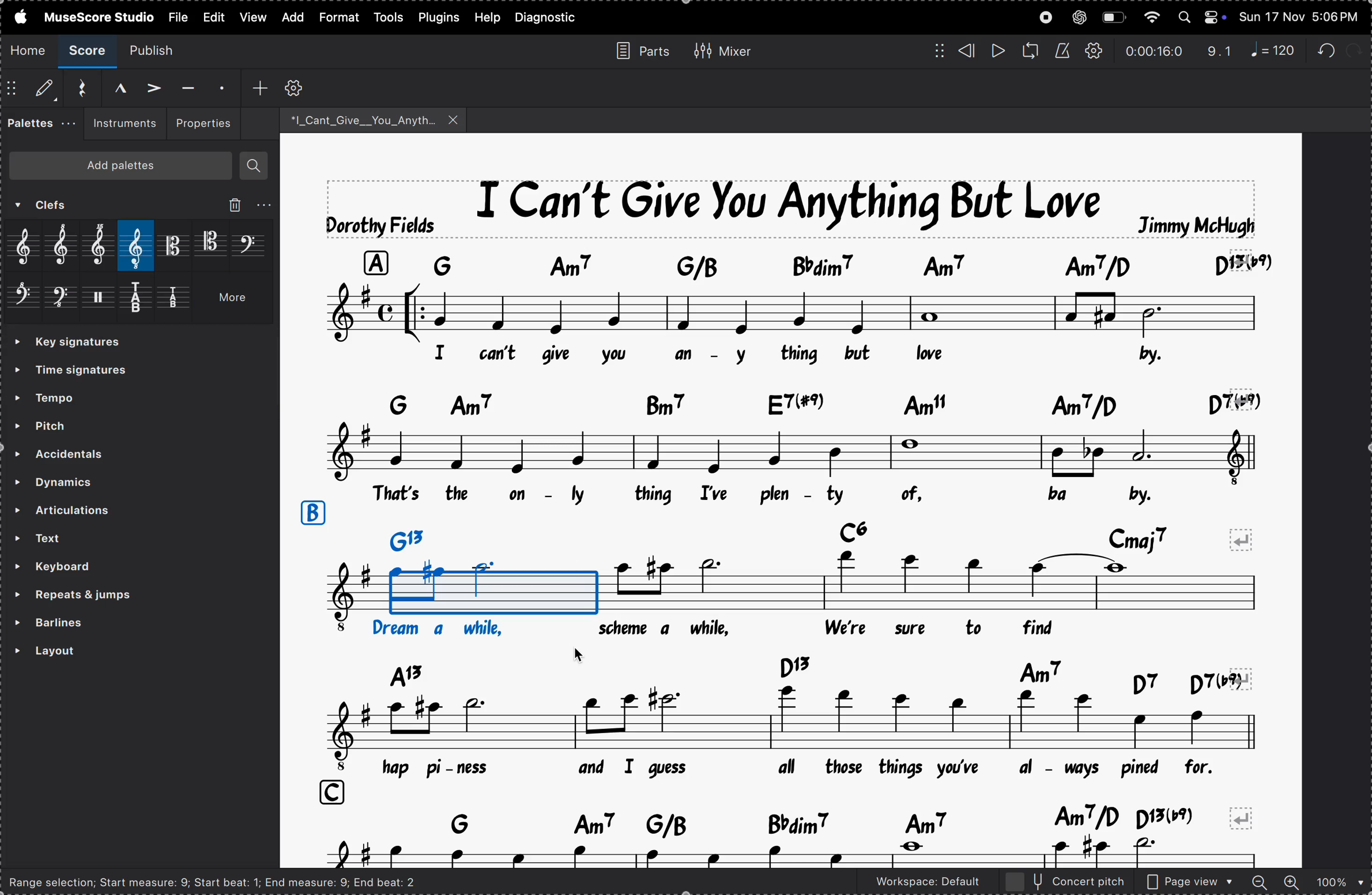 Image resolution: width=1372 pixels, height=895 pixels. What do you see at coordinates (722, 49) in the screenshot?
I see `mixer` at bounding box center [722, 49].